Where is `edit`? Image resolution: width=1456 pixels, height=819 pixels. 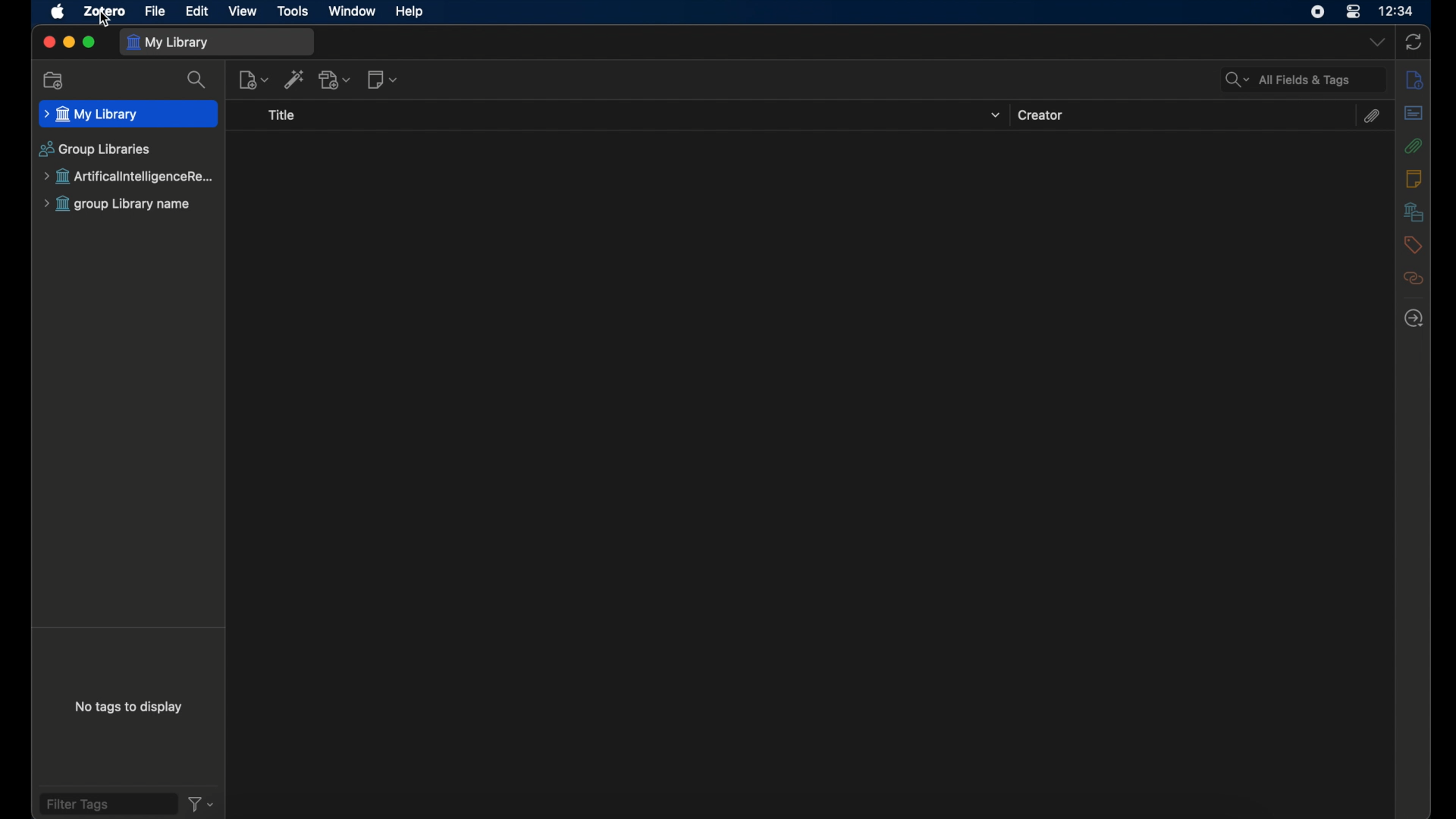
edit is located at coordinates (197, 11).